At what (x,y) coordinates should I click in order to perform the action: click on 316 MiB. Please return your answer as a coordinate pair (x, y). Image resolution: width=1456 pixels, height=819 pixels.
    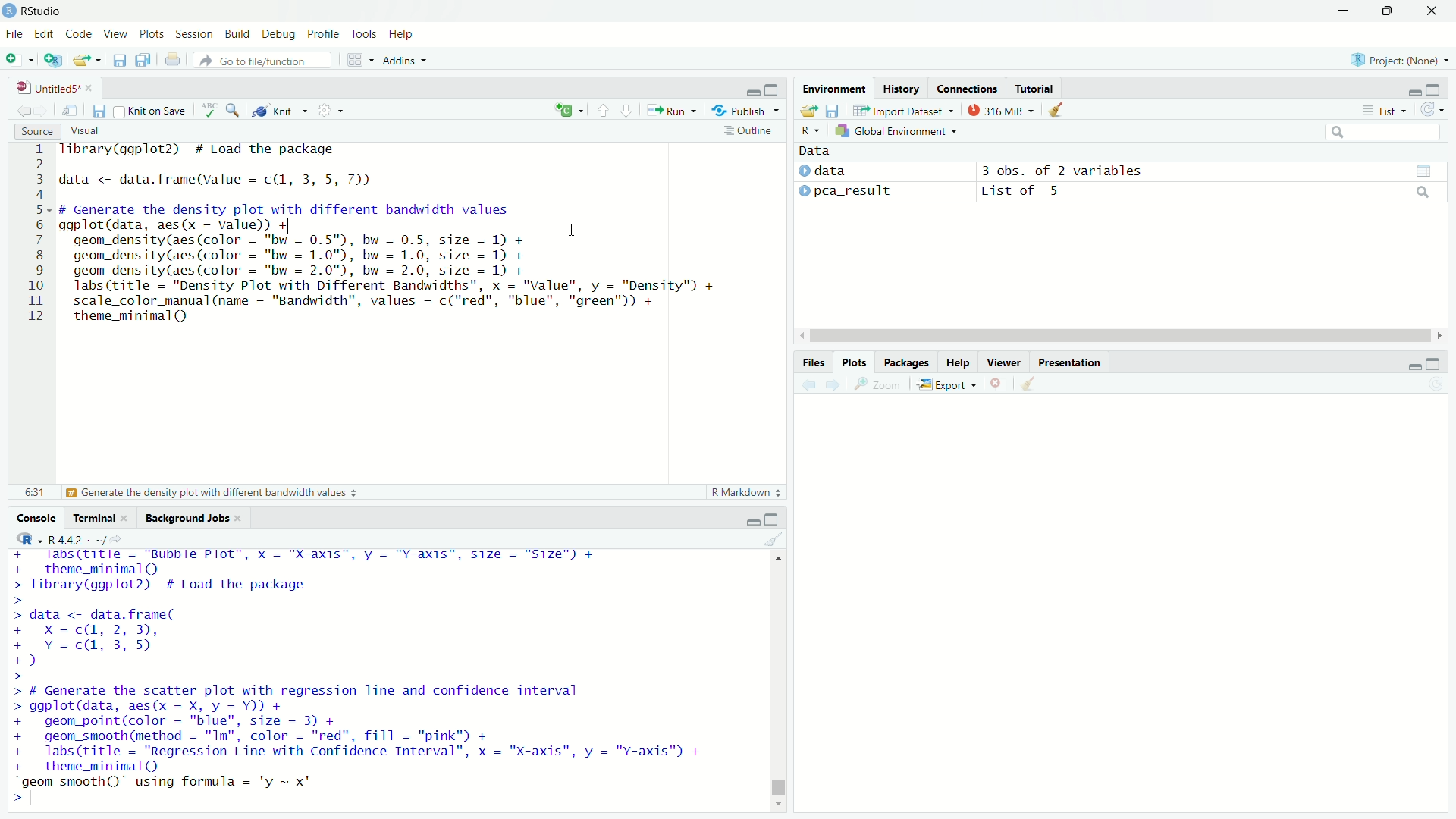
    Looking at the image, I should click on (1000, 110).